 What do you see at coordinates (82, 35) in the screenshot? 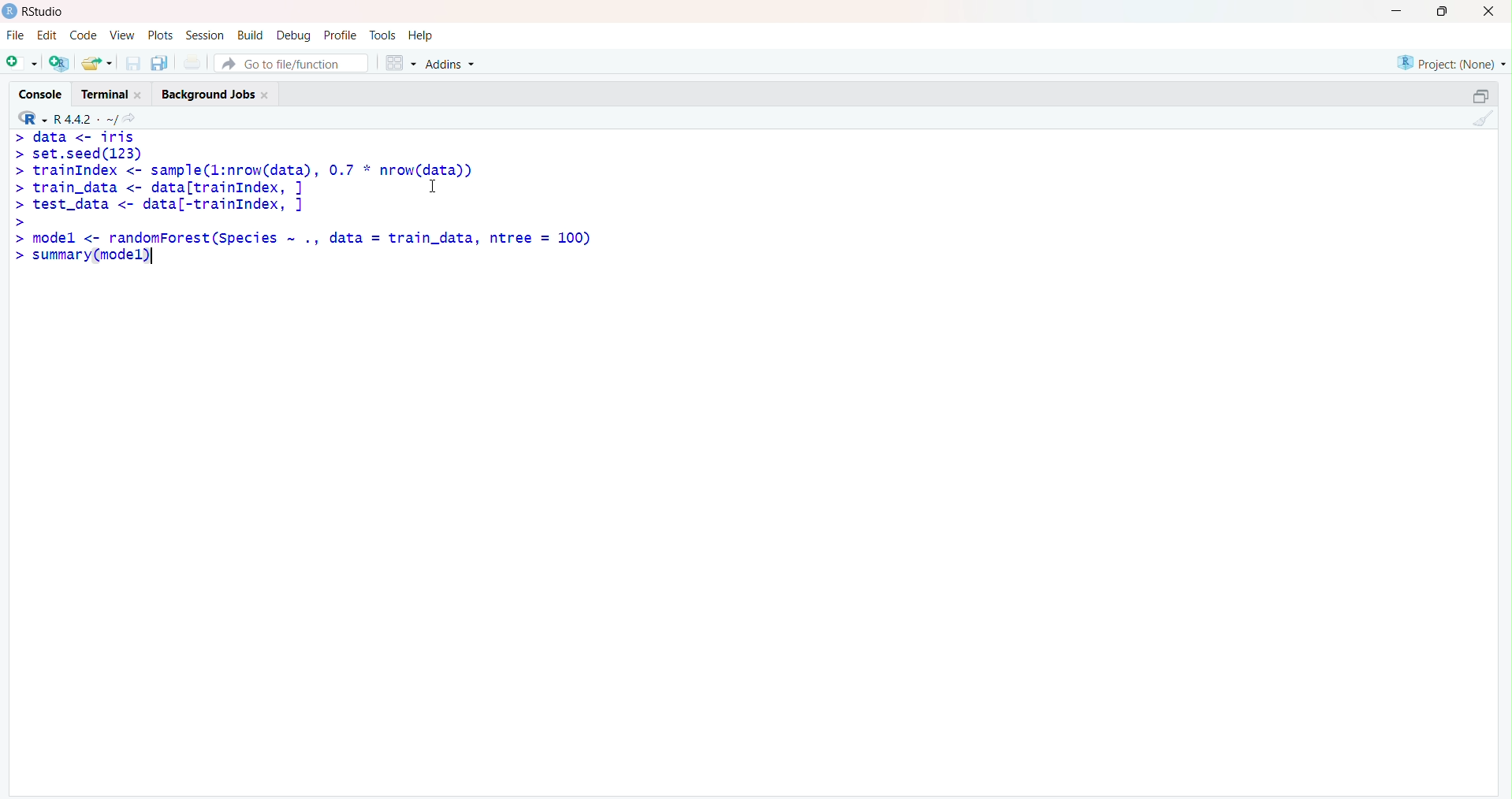
I see `Code` at bounding box center [82, 35].